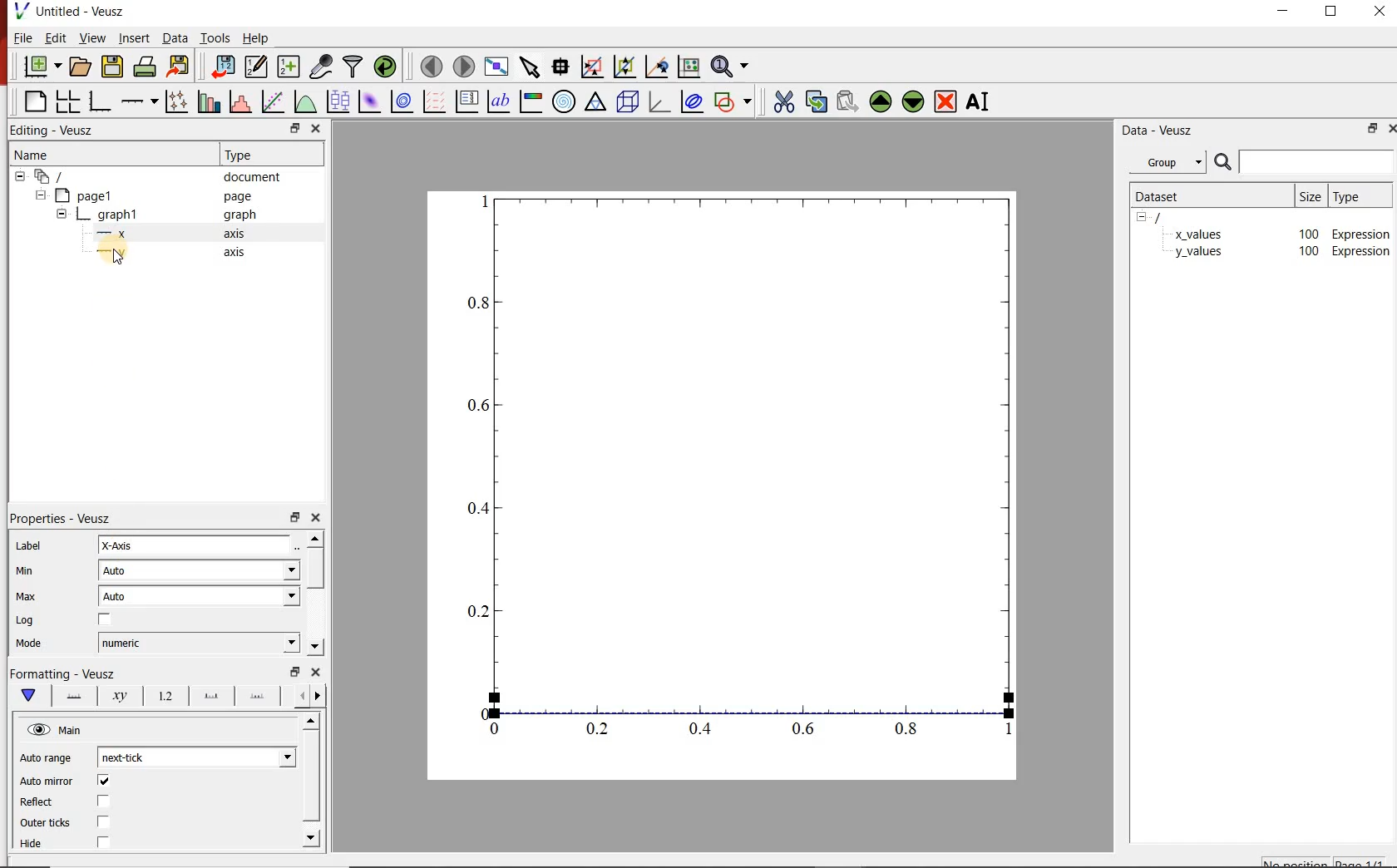 This screenshot has height=868, width=1397. Describe the element at coordinates (58, 176) in the screenshot. I see `all apegs` at that location.